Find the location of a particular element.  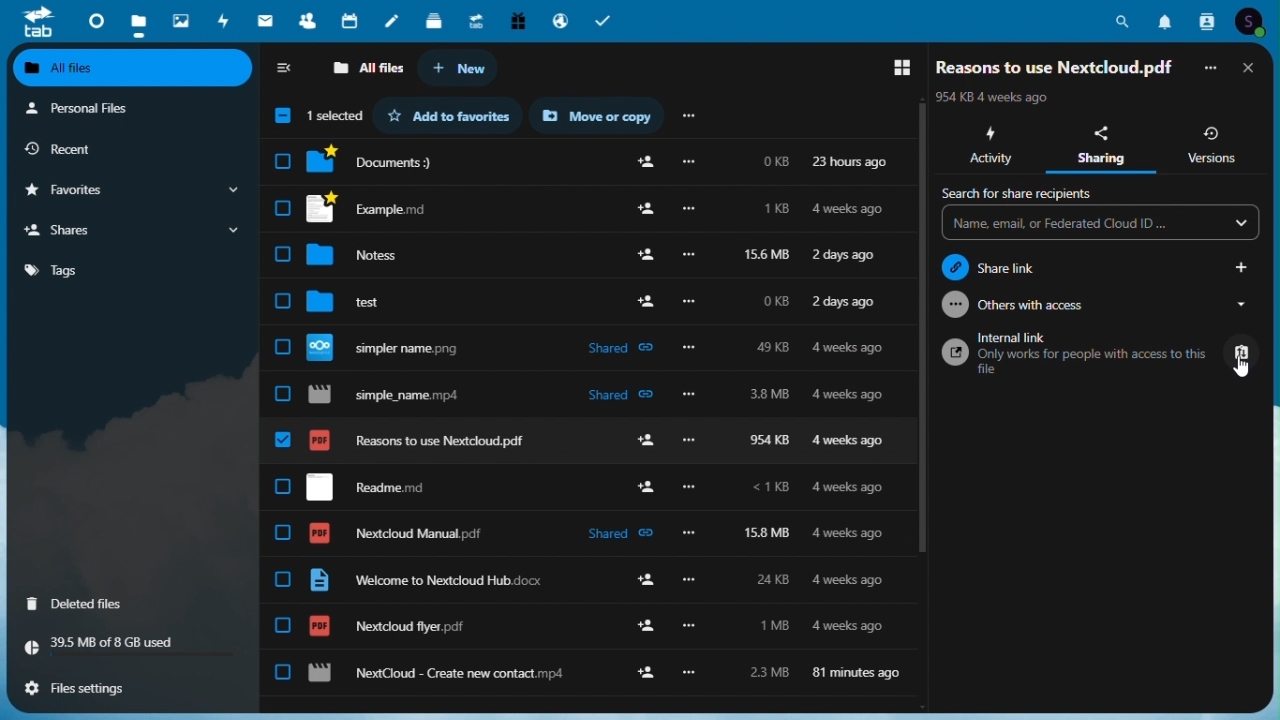

reasons to use nextcloud.pdf is located at coordinates (422, 440).